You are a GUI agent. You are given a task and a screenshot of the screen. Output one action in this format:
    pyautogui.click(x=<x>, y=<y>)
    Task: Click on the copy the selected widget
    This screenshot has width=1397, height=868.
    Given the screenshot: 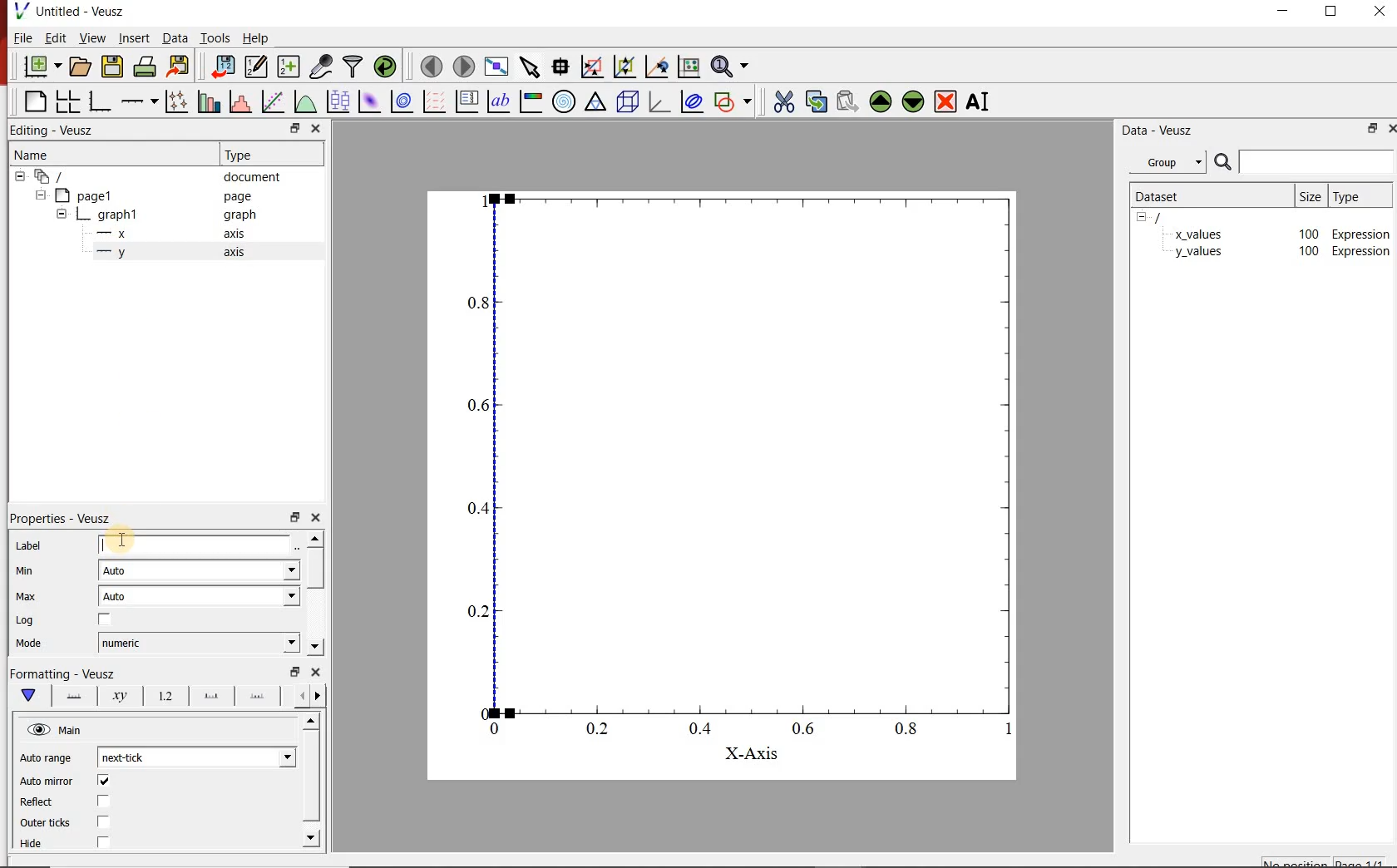 What is the action you would take?
    pyautogui.click(x=815, y=102)
    